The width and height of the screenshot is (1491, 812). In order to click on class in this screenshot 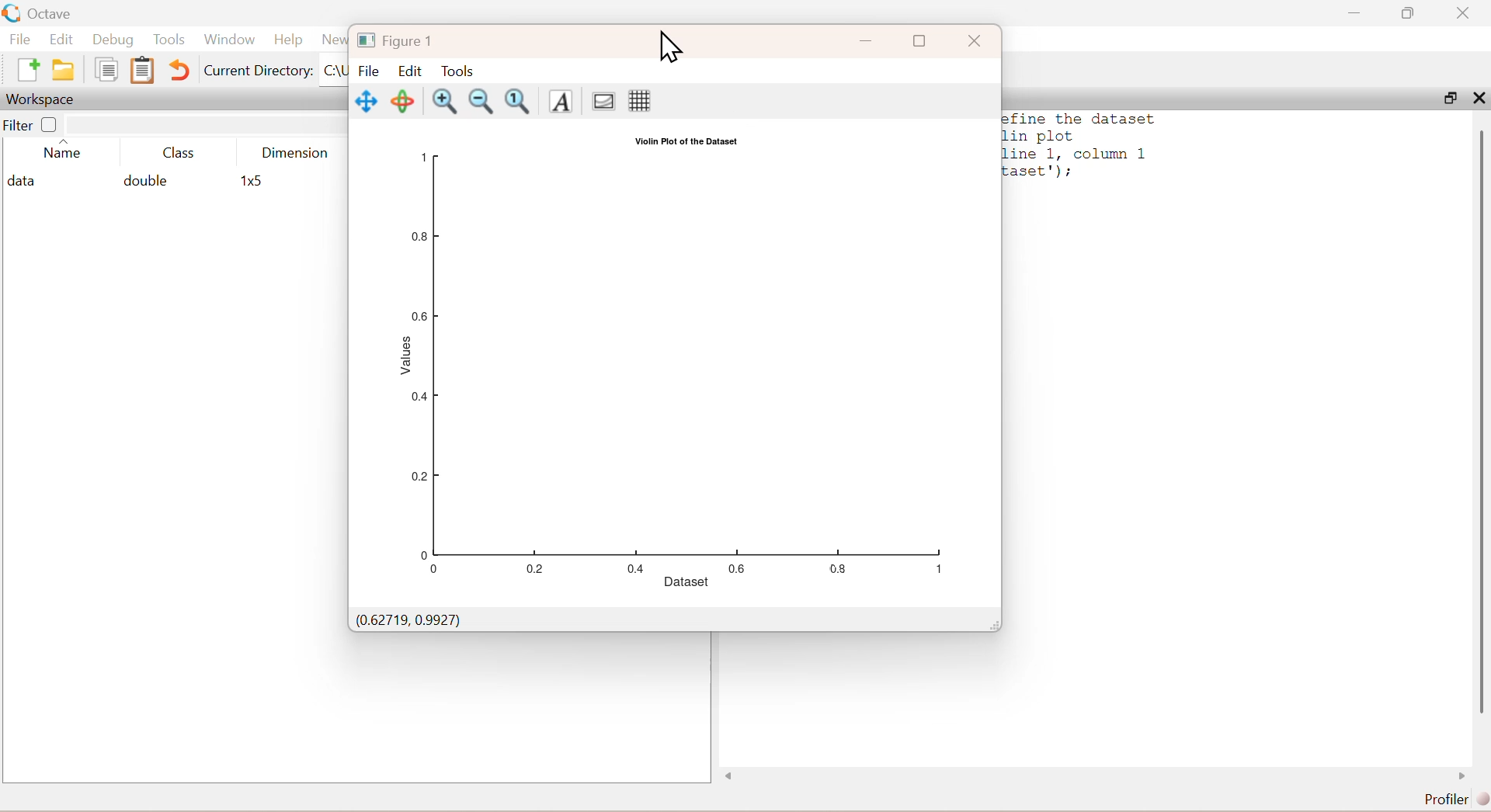, I will do `click(180, 154)`.